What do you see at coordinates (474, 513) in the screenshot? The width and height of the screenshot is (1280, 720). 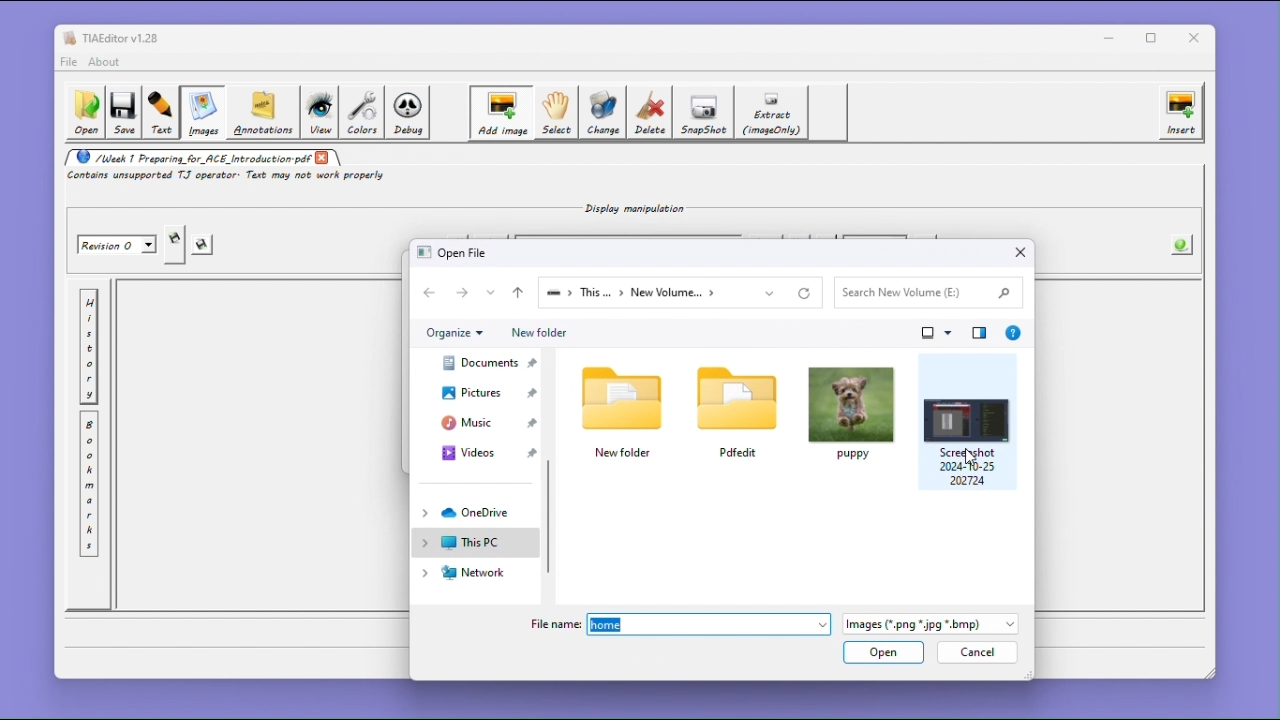 I see `OneDrive` at bounding box center [474, 513].